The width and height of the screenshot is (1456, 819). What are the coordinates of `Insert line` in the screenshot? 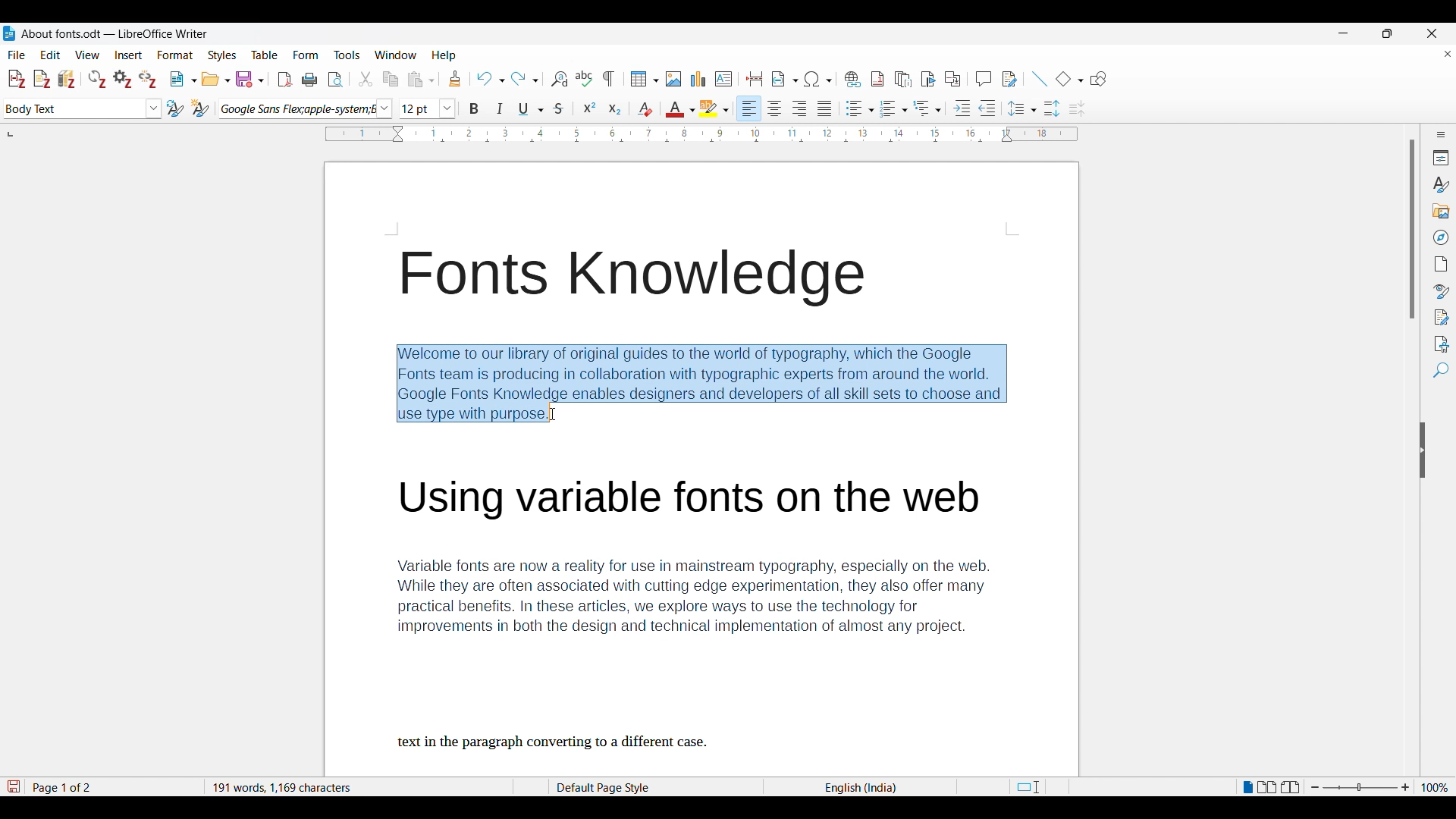 It's located at (1039, 79).